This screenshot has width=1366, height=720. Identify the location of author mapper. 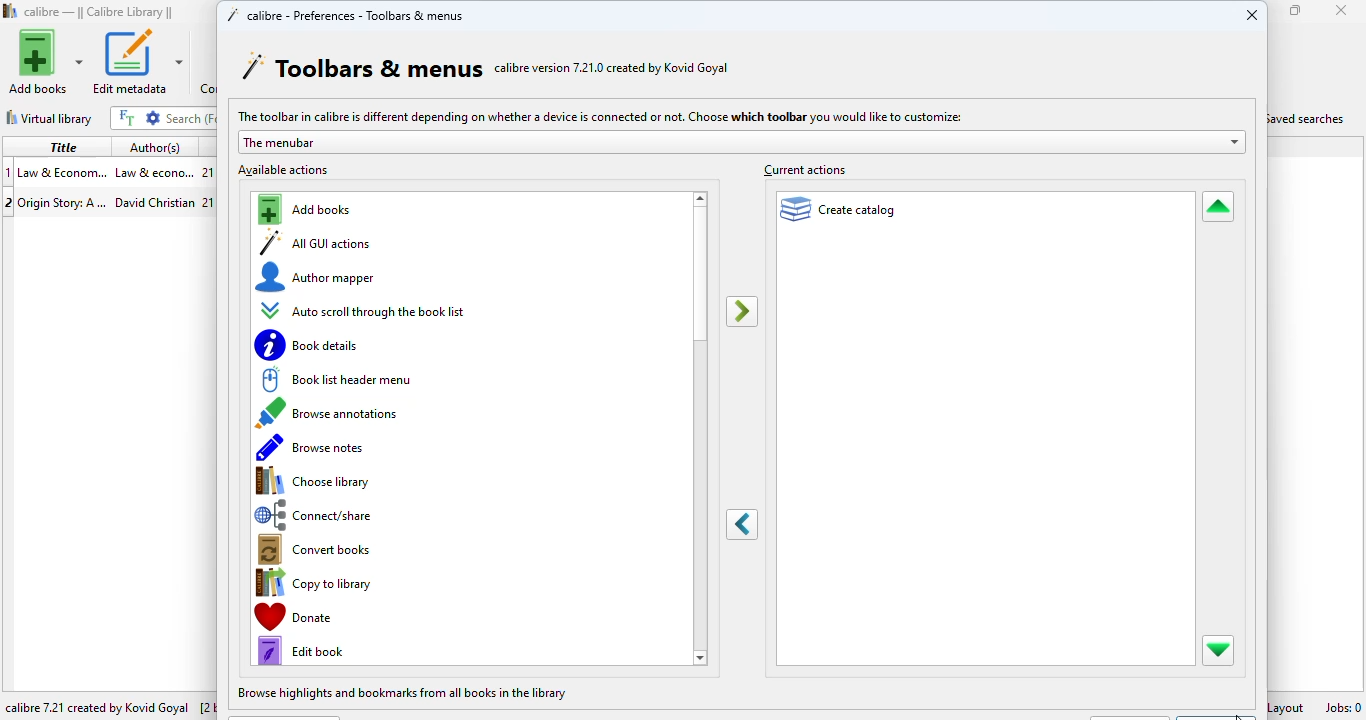
(318, 276).